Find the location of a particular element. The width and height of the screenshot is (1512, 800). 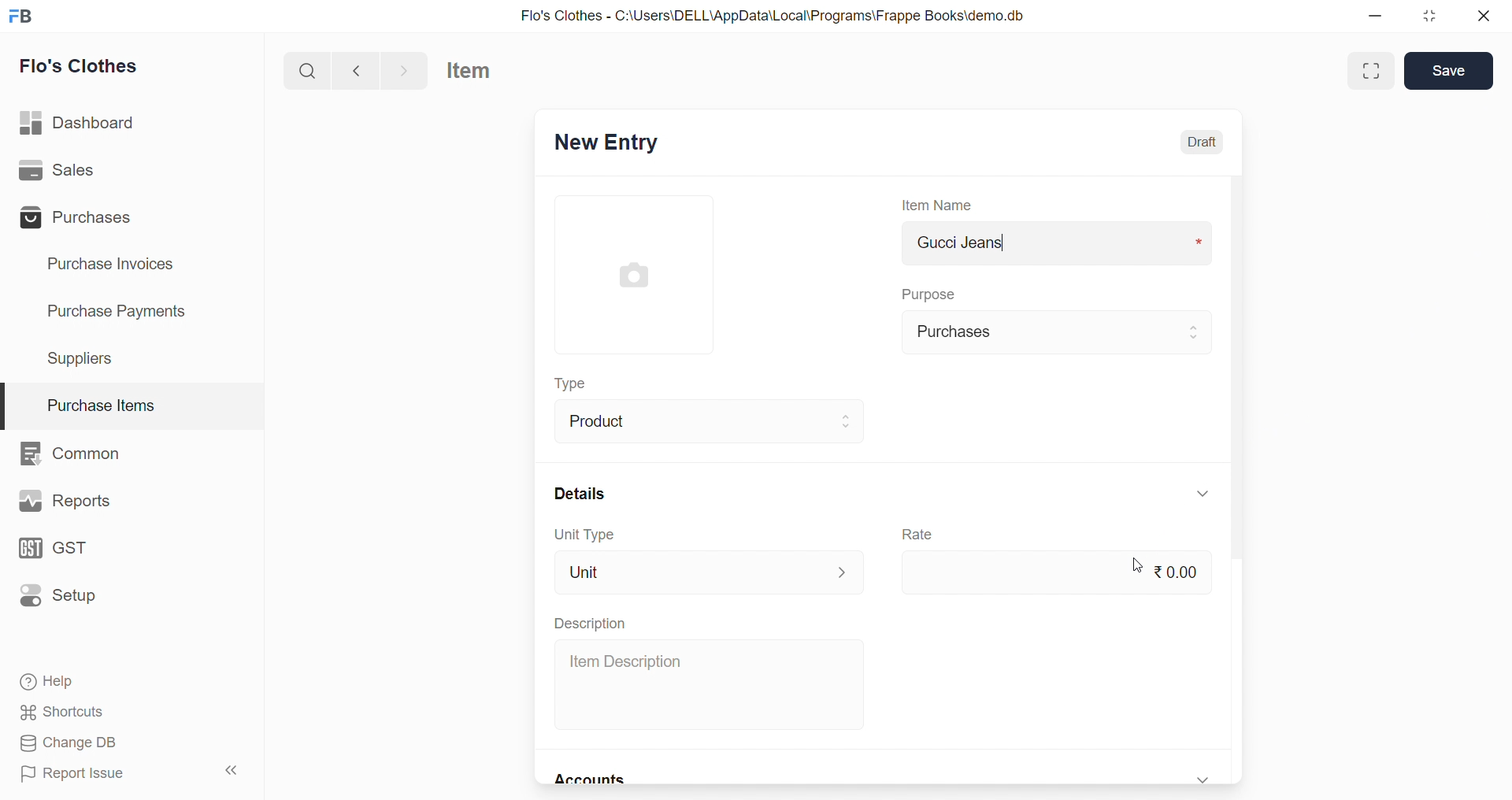

Save is located at coordinates (1449, 71).